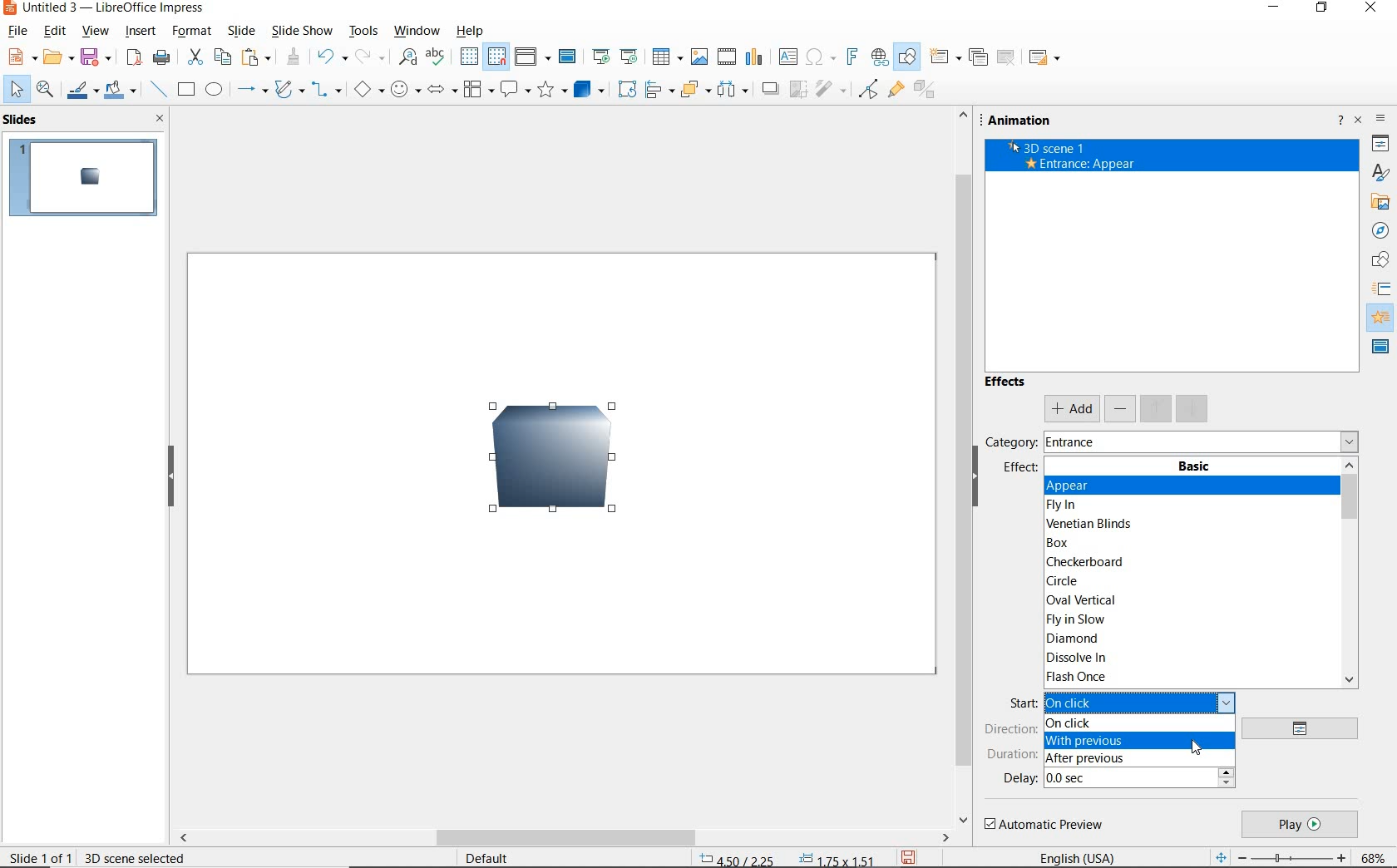 This screenshot has width=1397, height=868. Describe the element at coordinates (1157, 408) in the screenshot. I see `move up` at that location.